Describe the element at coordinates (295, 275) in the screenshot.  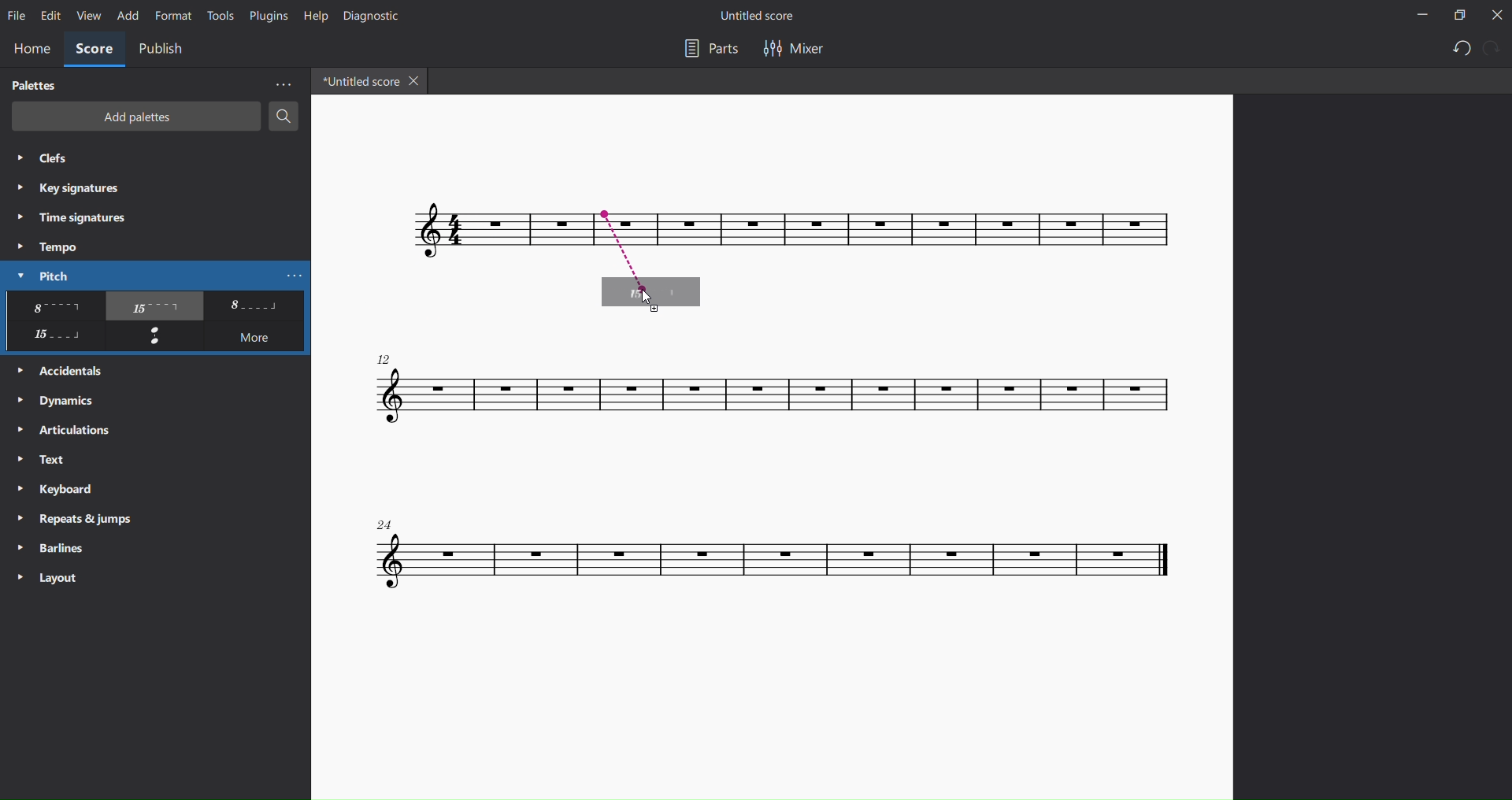
I see `more pitch options` at that location.